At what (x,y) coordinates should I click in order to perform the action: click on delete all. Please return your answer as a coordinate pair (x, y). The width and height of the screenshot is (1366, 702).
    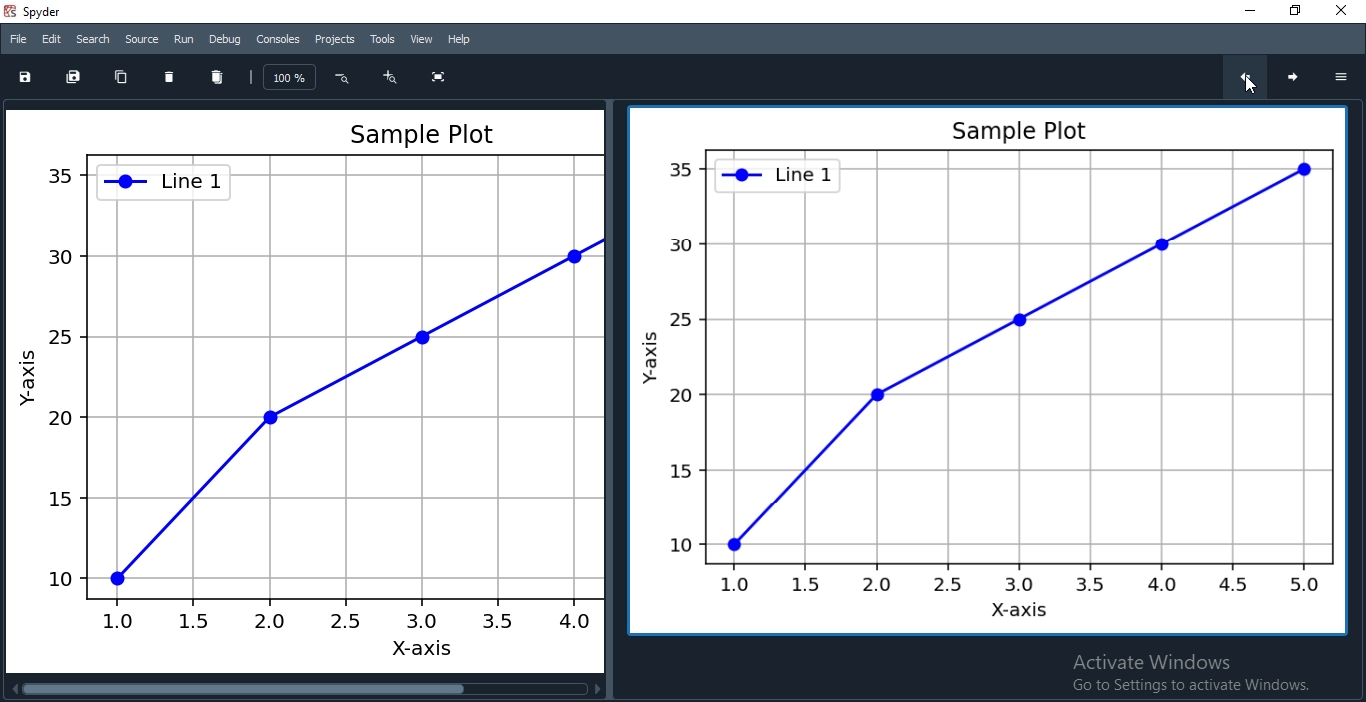
    Looking at the image, I should click on (218, 76).